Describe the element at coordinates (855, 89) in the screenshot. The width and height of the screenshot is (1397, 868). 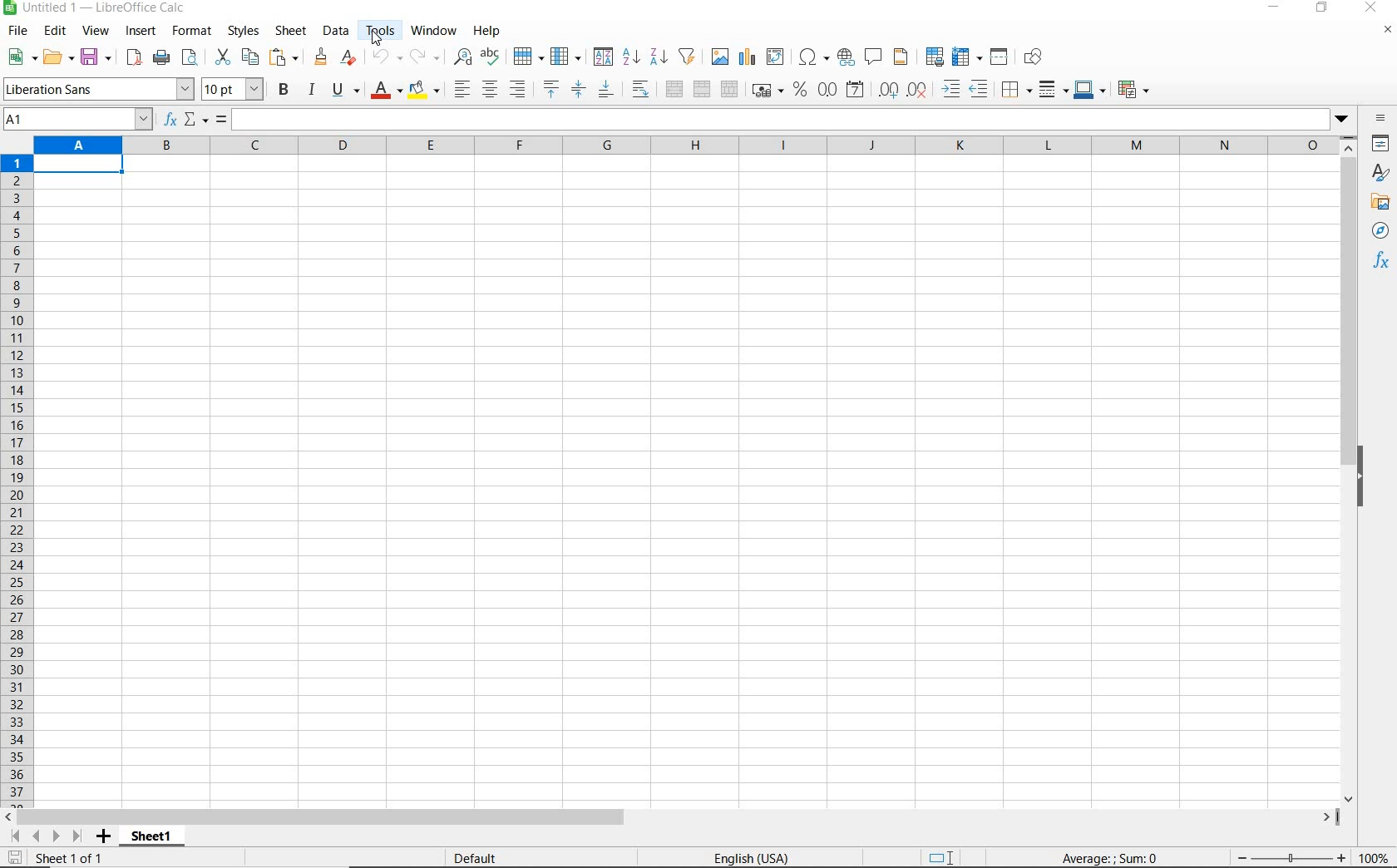
I see `format as date` at that location.